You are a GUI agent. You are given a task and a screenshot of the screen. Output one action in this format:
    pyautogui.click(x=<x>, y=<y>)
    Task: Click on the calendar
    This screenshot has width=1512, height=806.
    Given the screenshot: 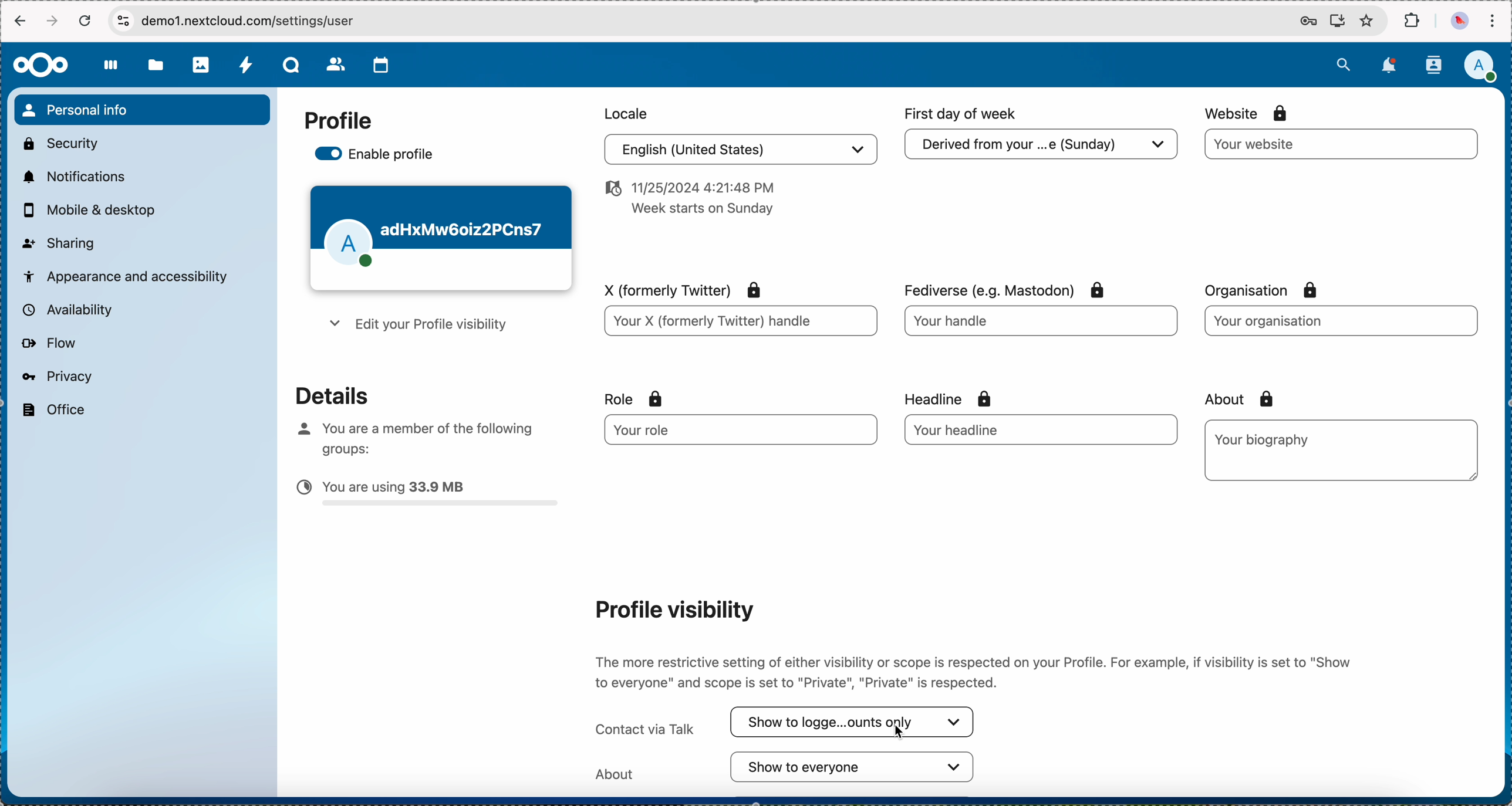 What is the action you would take?
    pyautogui.click(x=382, y=65)
    